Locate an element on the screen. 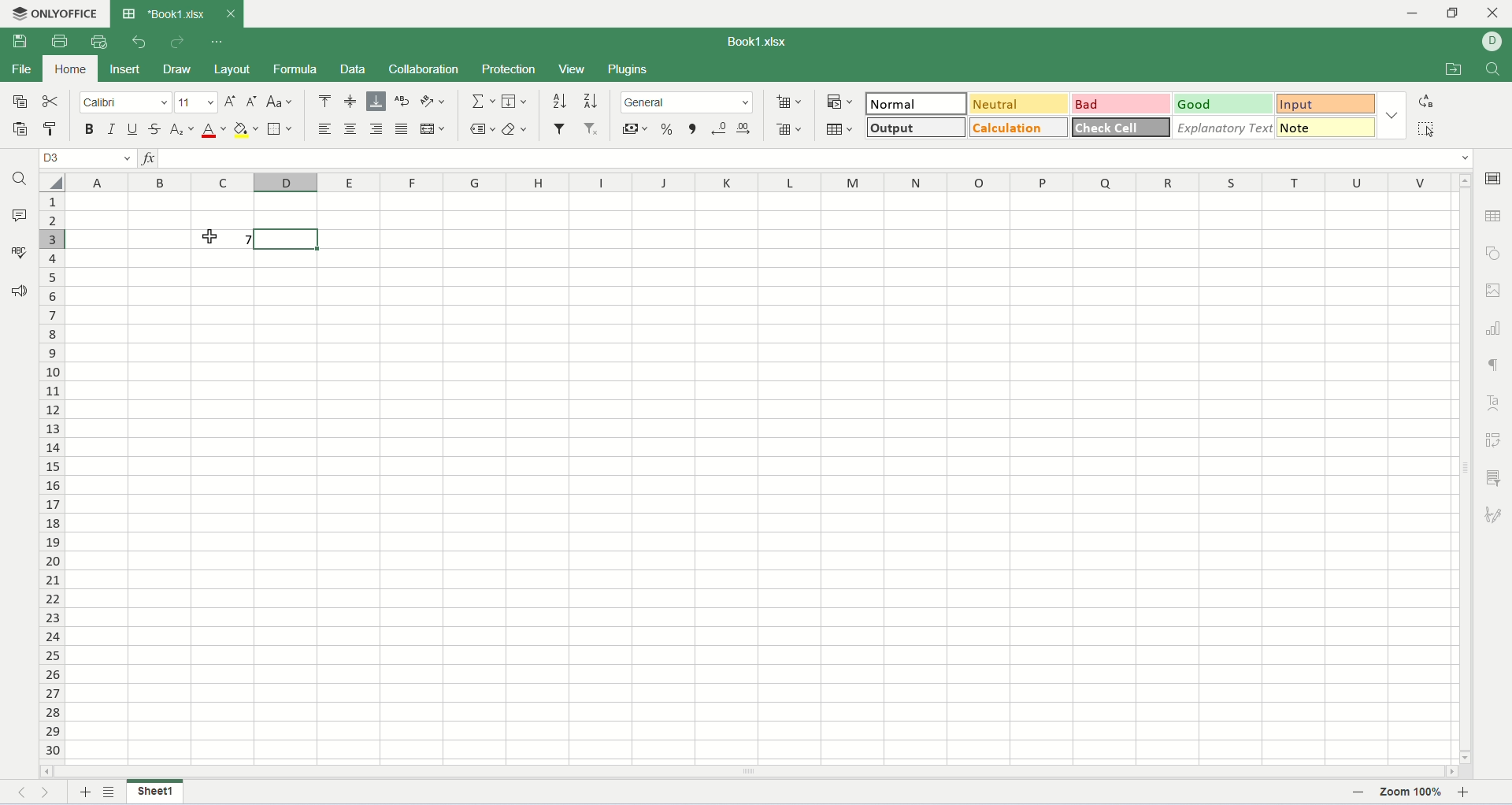 This screenshot has width=1512, height=805. redo is located at coordinates (181, 43).